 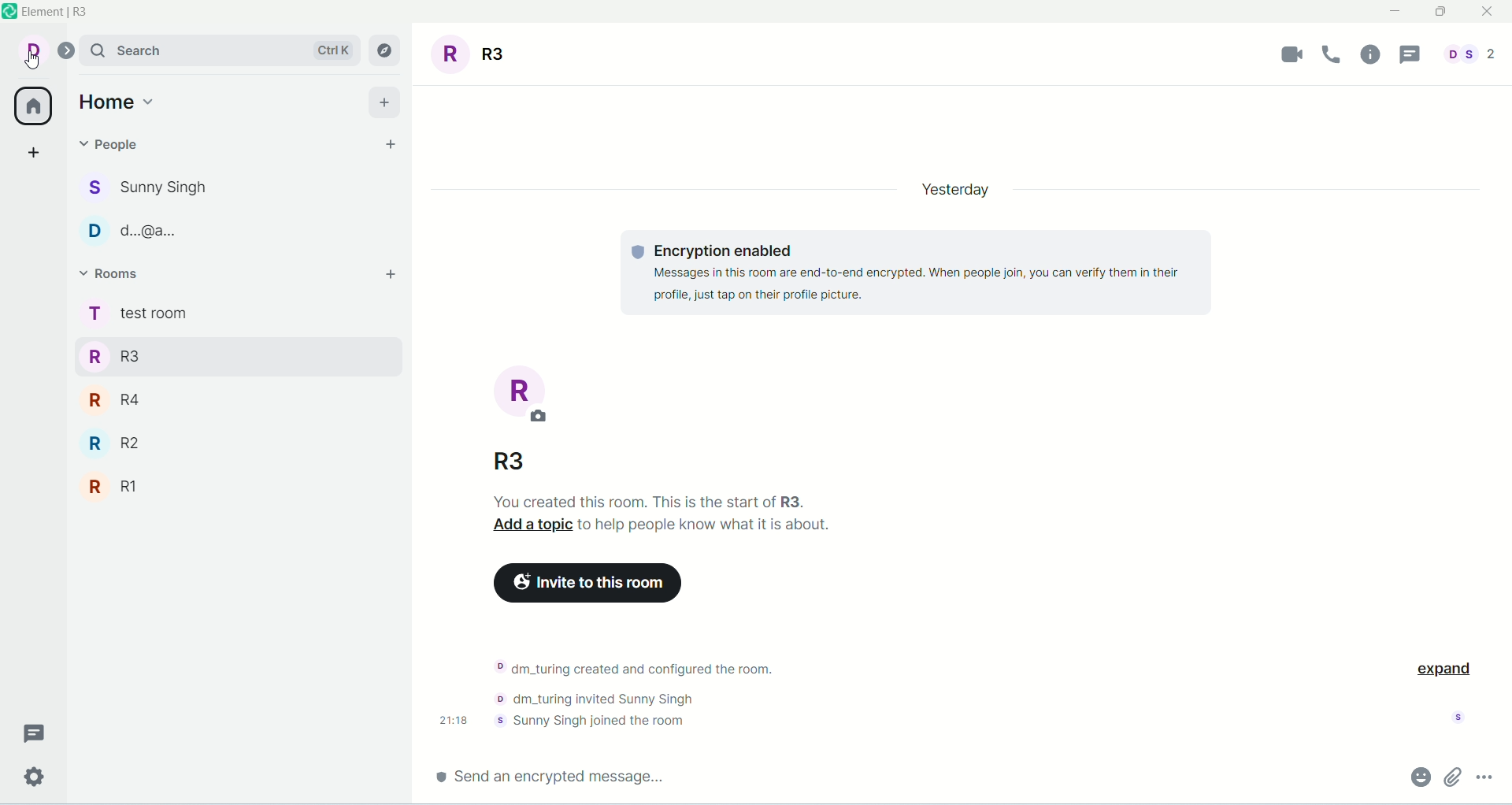 I want to click on time, so click(x=455, y=719).